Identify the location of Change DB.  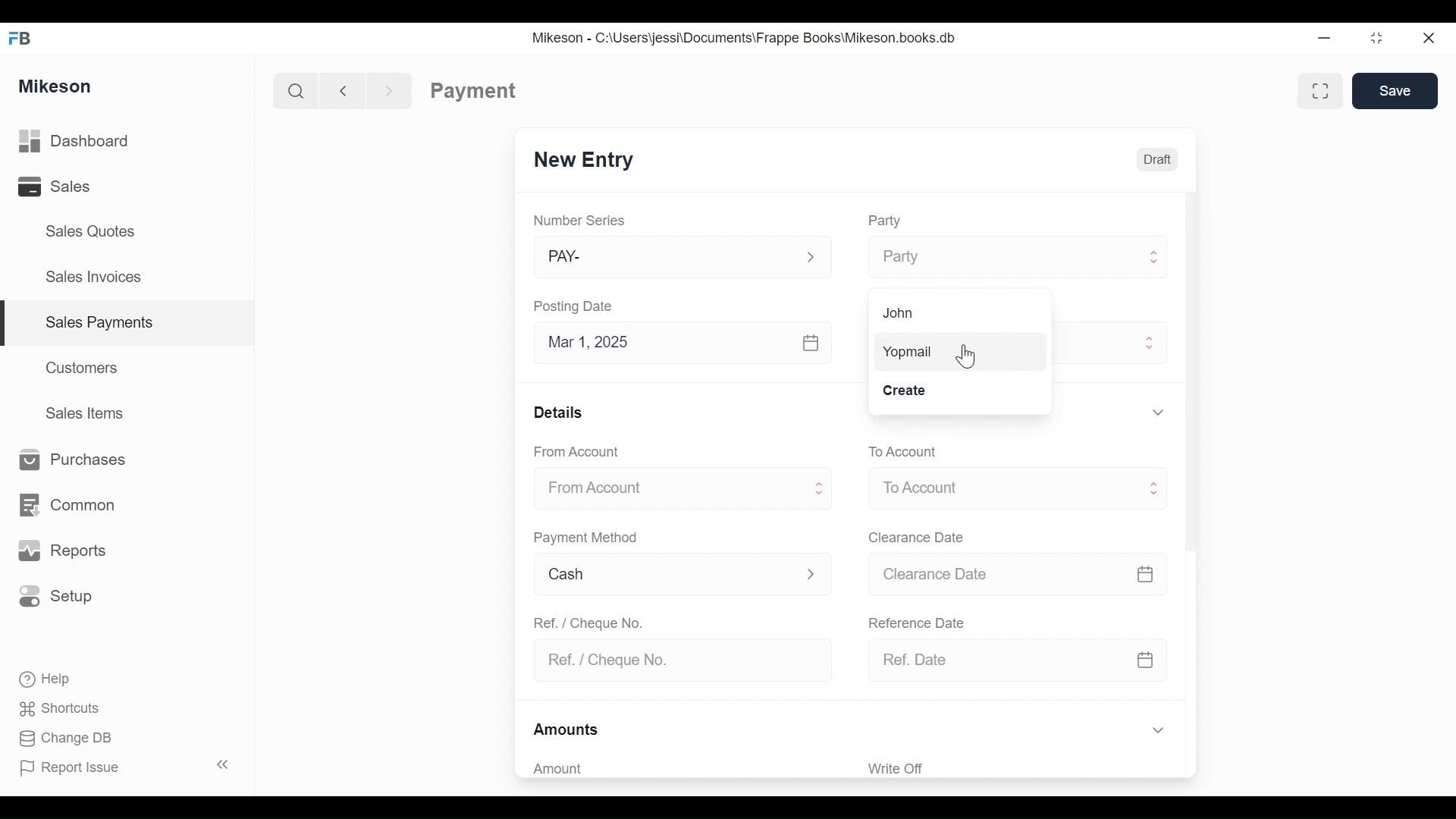
(70, 739).